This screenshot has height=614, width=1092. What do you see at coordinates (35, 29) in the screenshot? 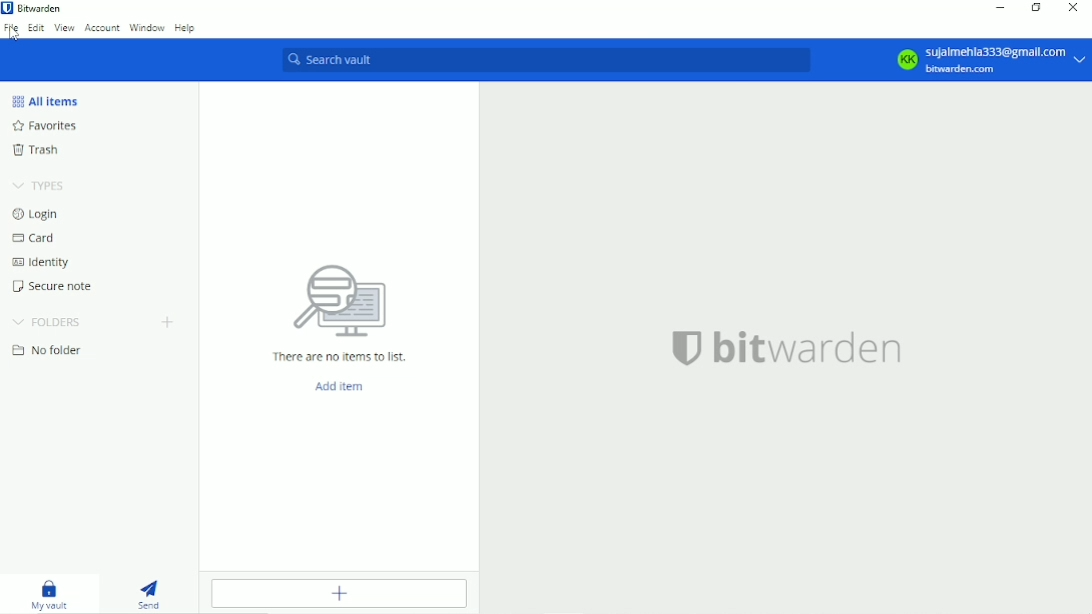
I see `Edit` at bounding box center [35, 29].